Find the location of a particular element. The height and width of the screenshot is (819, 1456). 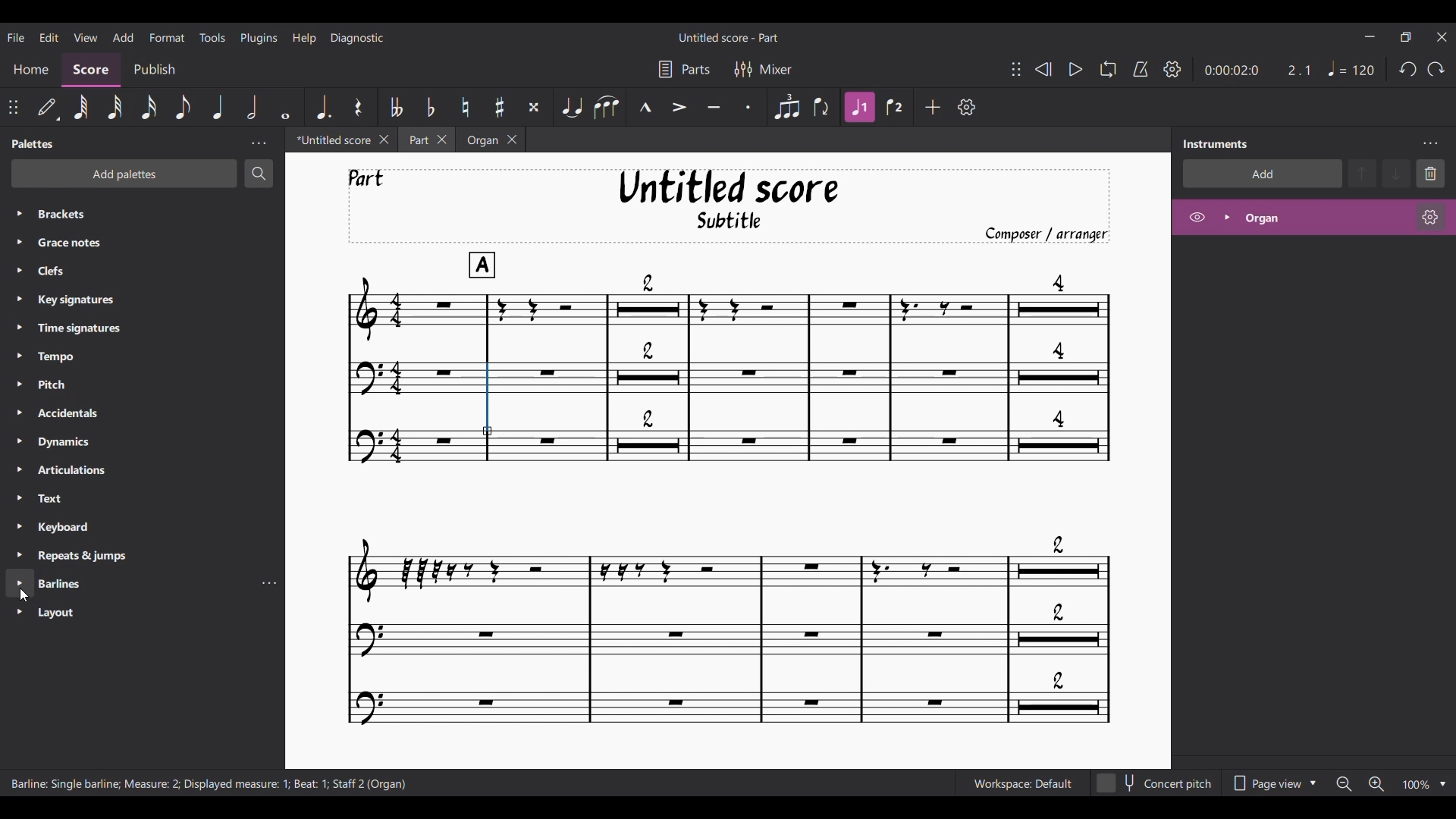

Mixer settings is located at coordinates (763, 70).